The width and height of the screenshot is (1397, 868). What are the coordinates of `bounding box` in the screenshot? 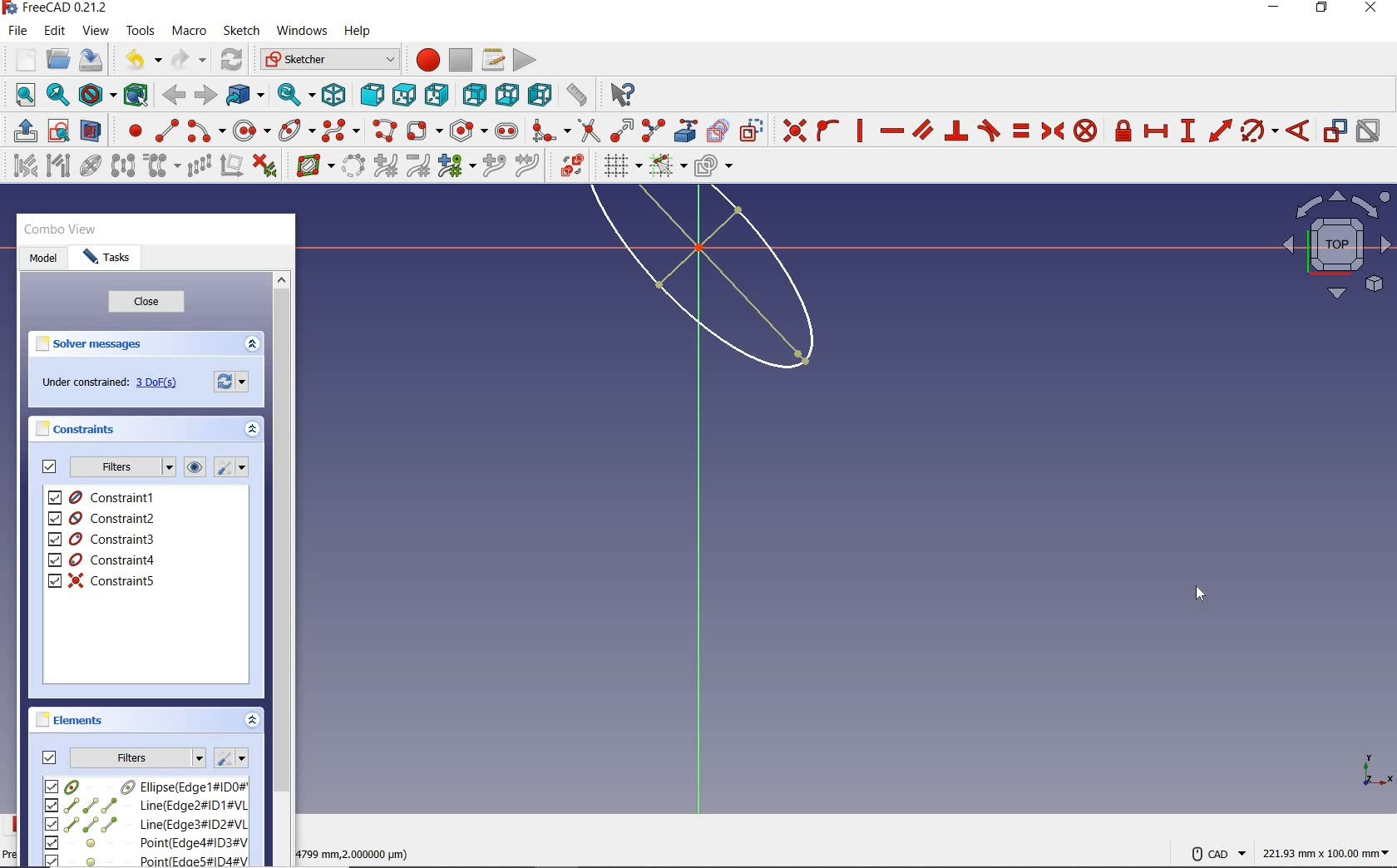 It's located at (136, 94).